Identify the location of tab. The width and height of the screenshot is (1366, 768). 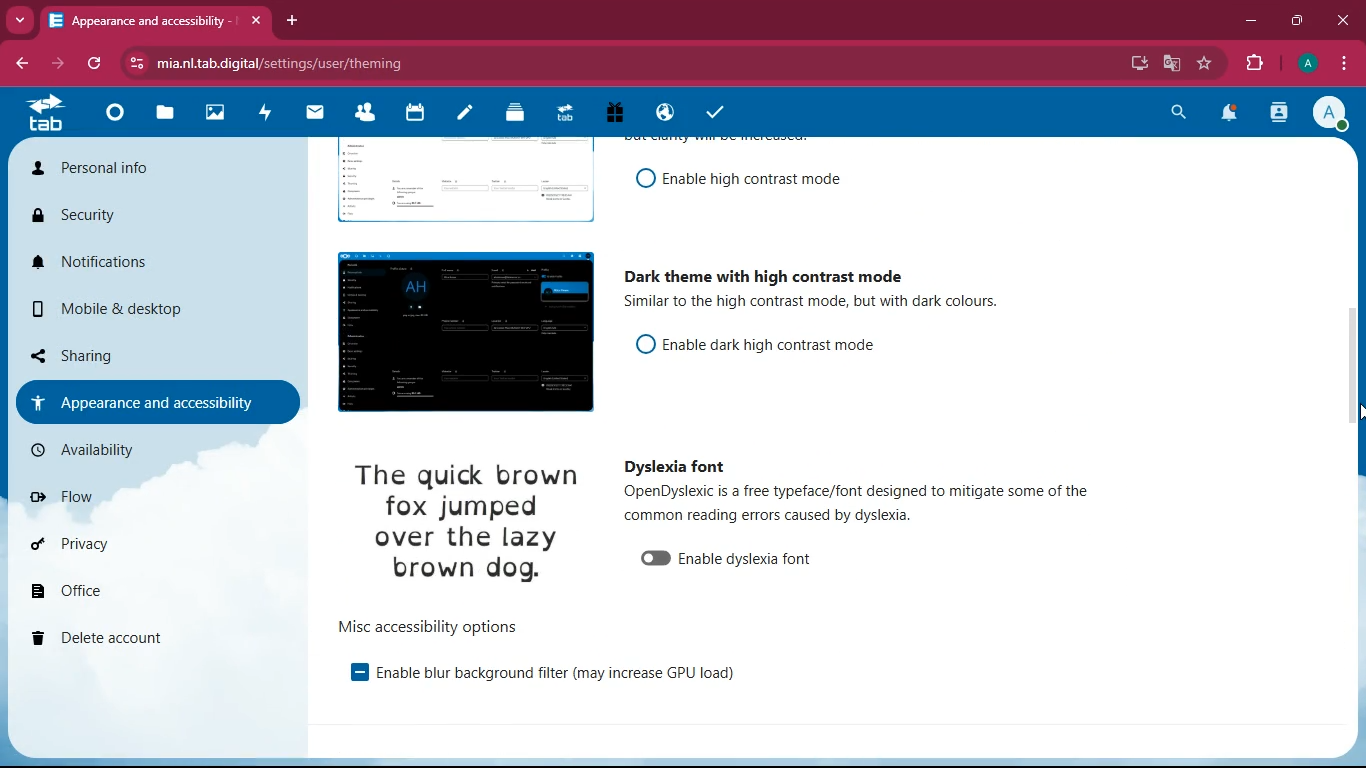
(140, 20).